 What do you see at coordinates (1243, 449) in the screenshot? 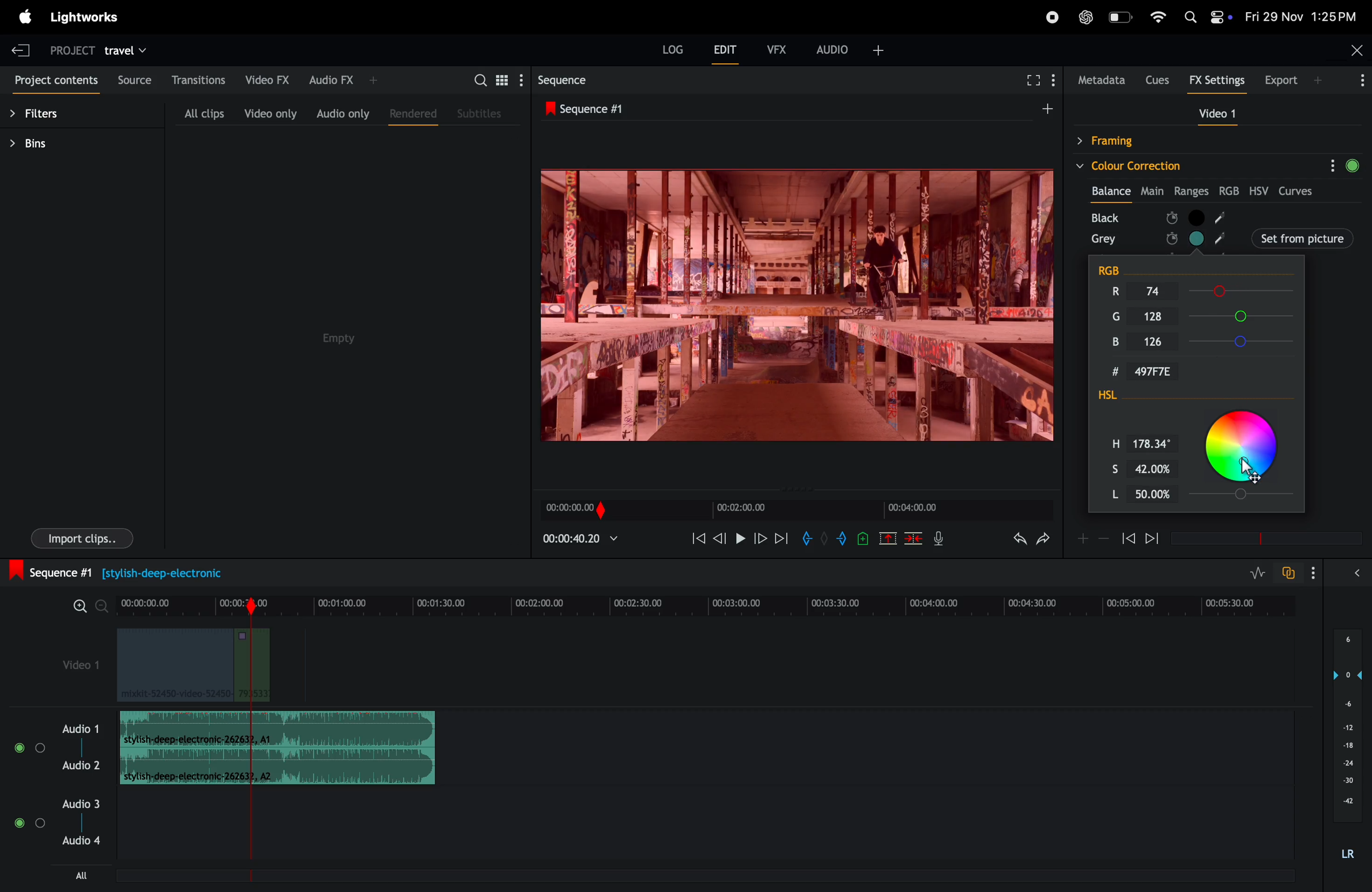
I see `Color Picker` at bounding box center [1243, 449].